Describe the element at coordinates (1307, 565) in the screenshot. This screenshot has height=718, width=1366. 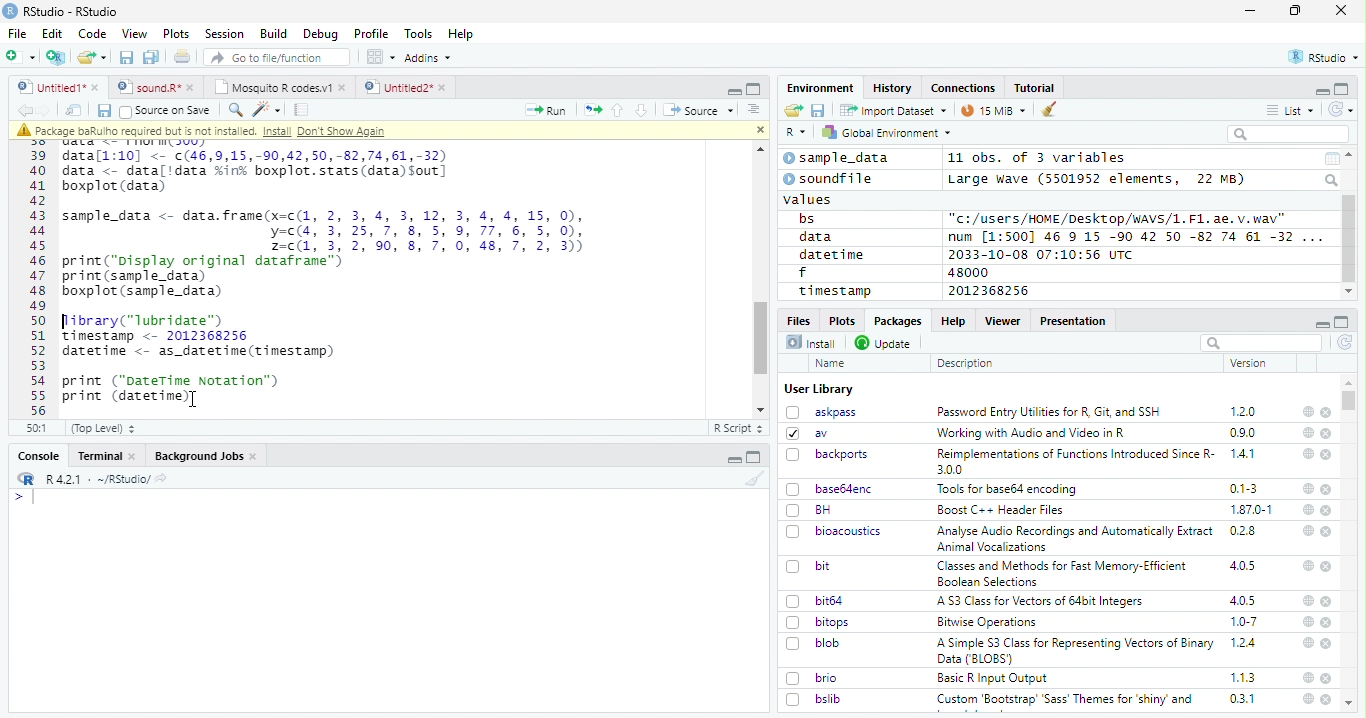
I see `help` at that location.